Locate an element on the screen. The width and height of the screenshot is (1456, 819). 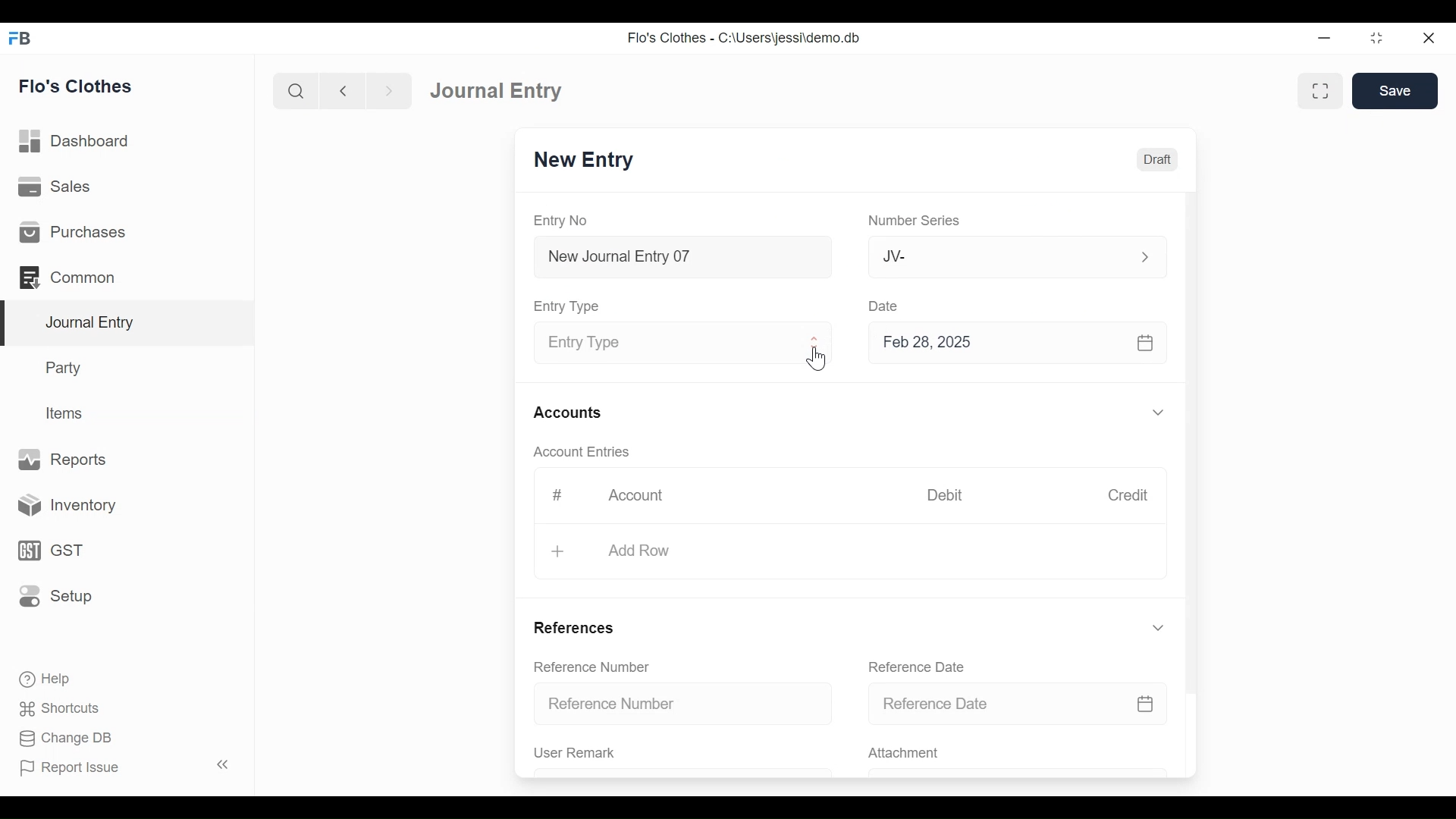
References is located at coordinates (575, 629).